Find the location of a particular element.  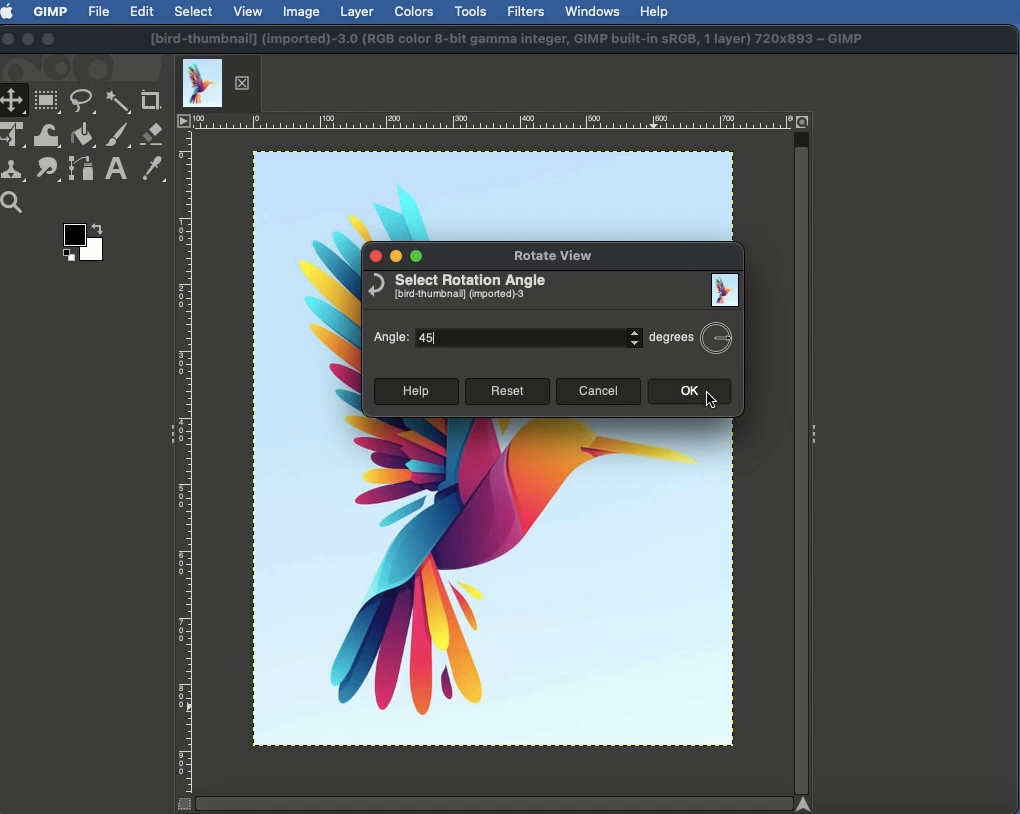

text cursor is located at coordinates (442, 340).